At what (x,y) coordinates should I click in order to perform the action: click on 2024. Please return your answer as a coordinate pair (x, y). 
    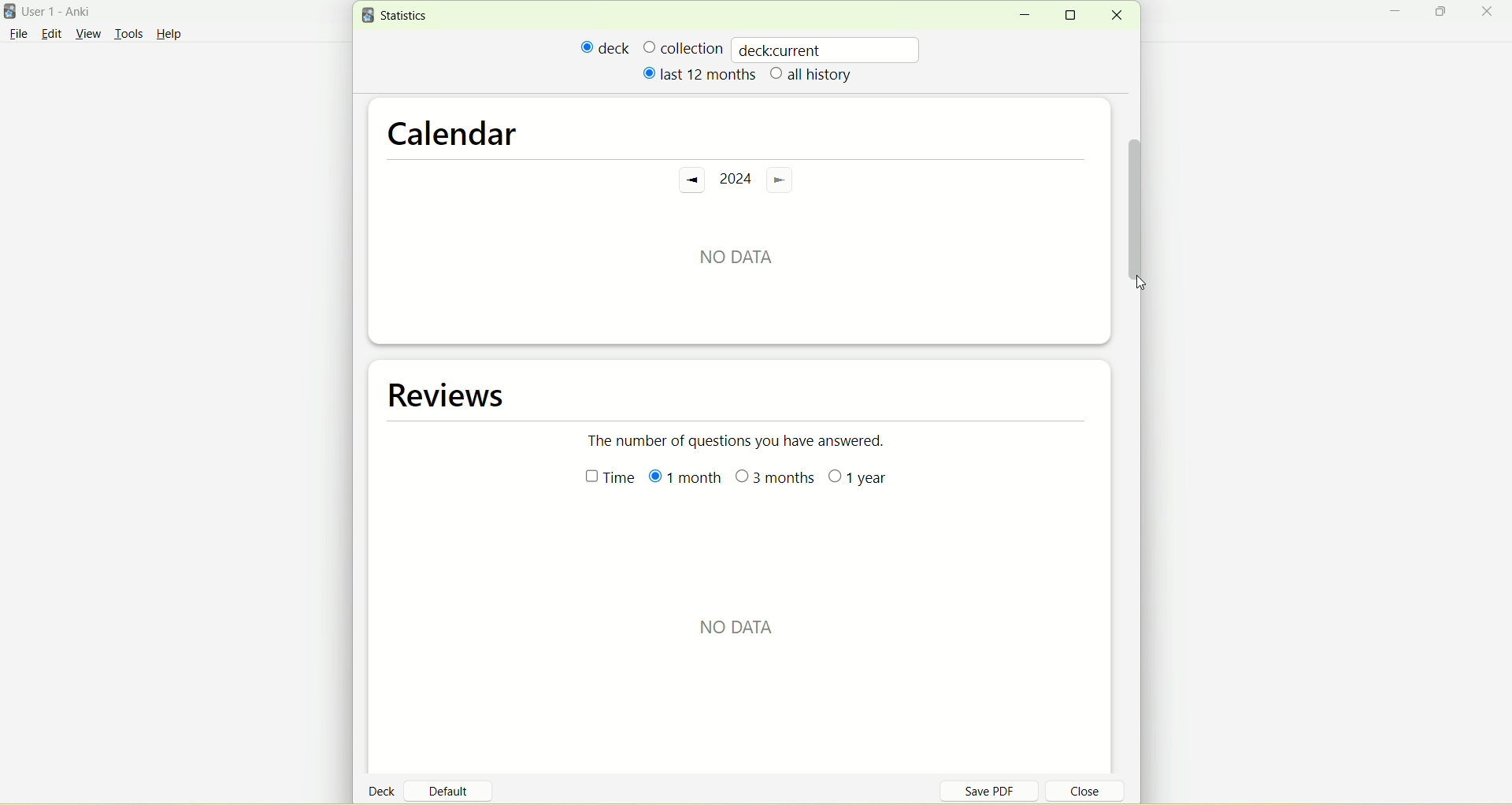
    Looking at the image, I should click on (734, 180).